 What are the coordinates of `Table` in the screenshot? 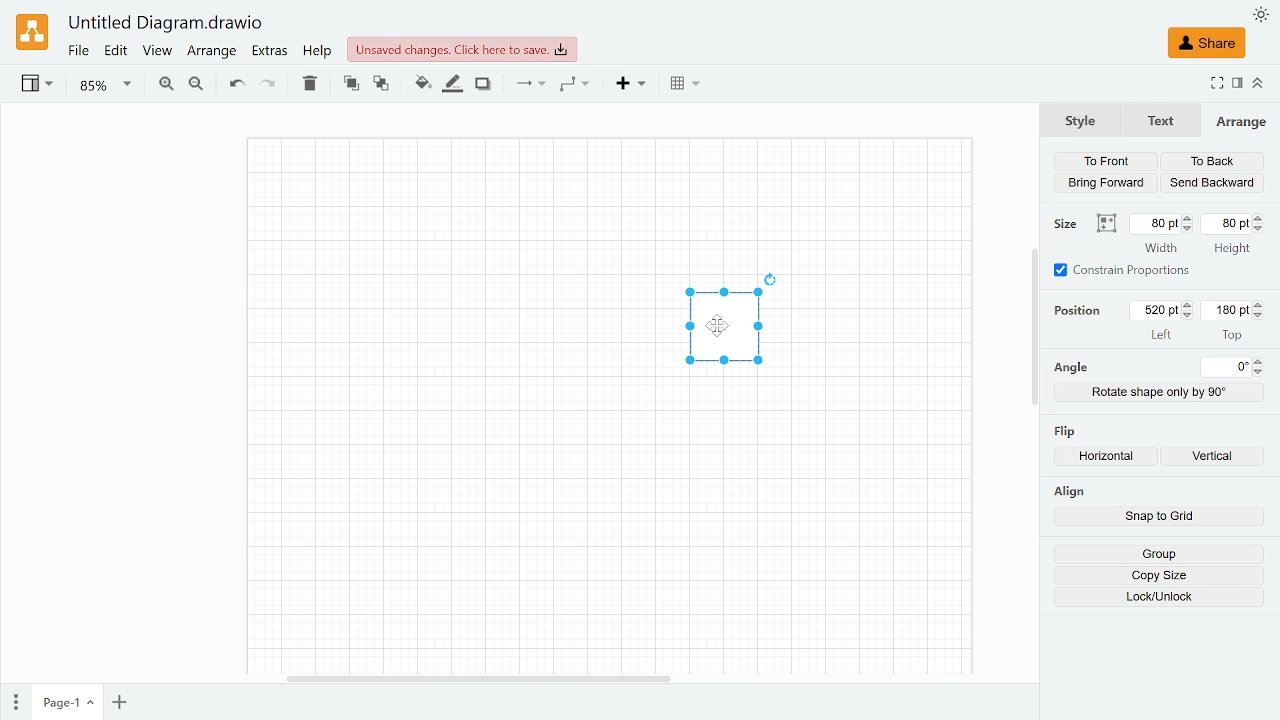 It's located at (685, 85).